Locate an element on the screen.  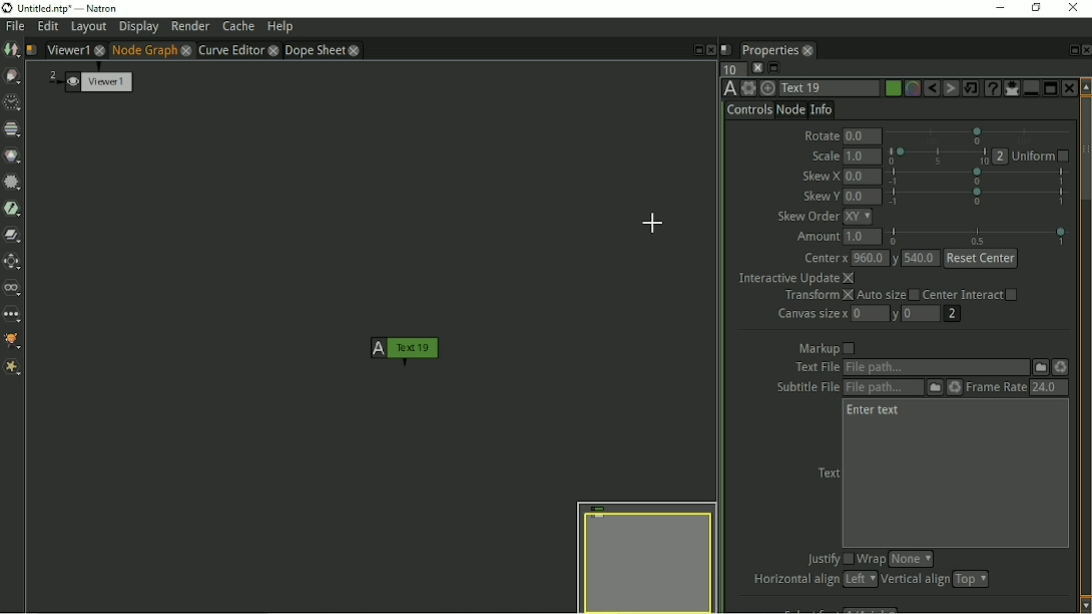
Subtitle is located at coordinates (933, 388).